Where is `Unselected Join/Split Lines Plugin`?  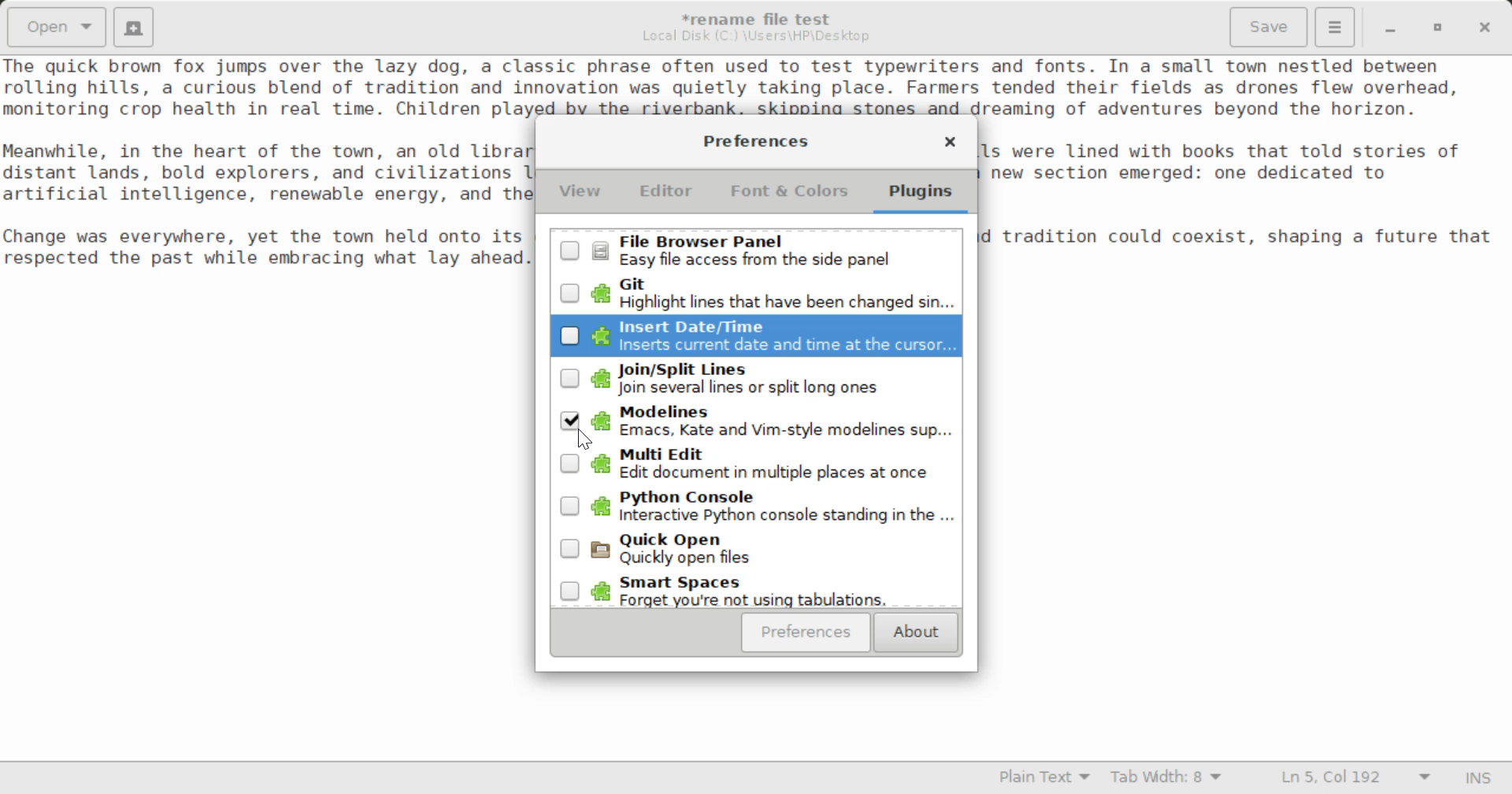 Unselected Join/Split Lines Plugin is located at coordinates (756, 379).